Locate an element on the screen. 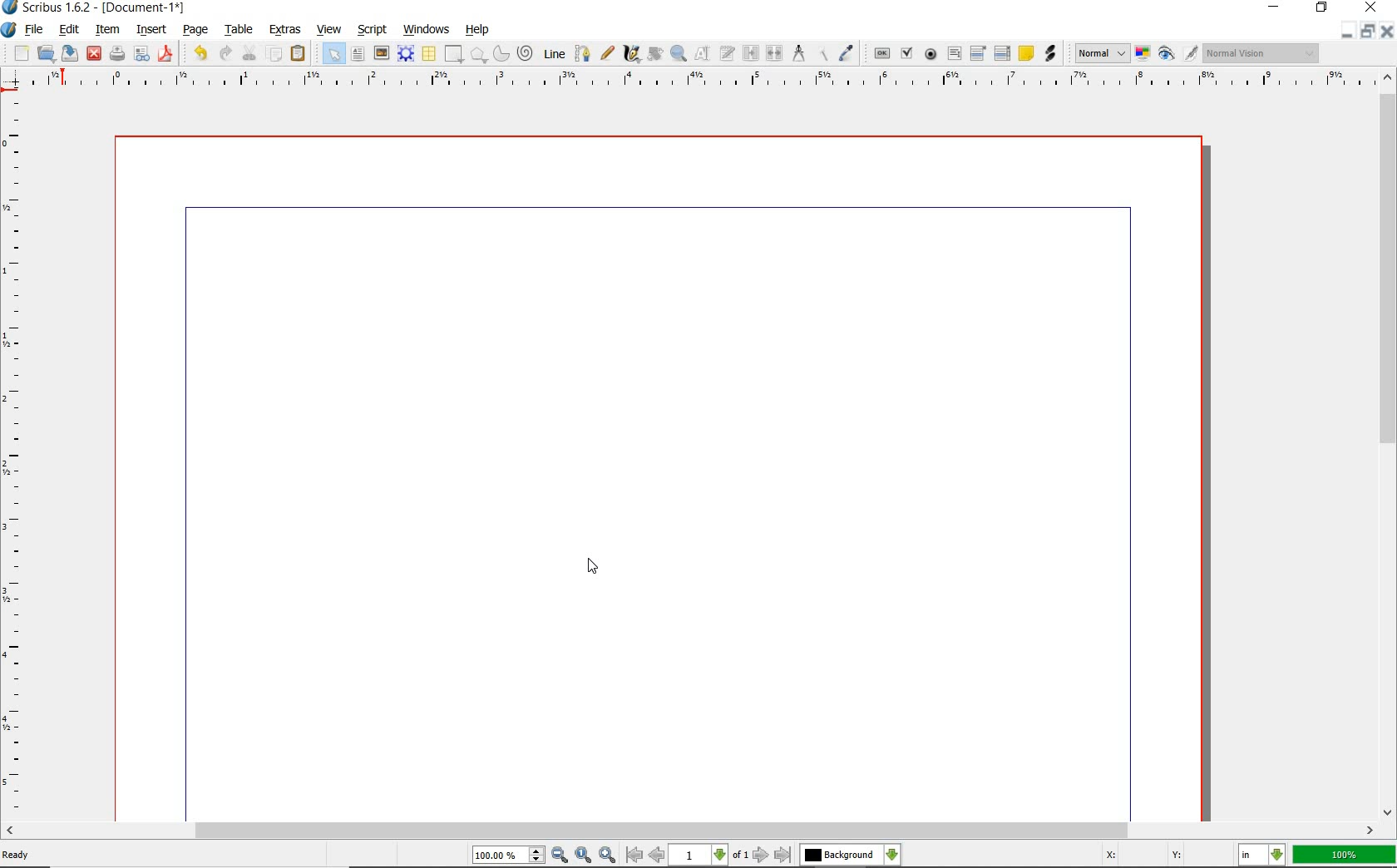 Image resolution: width=1397 pixels, height=868 pixels. print is located at coordinates (116, 53).